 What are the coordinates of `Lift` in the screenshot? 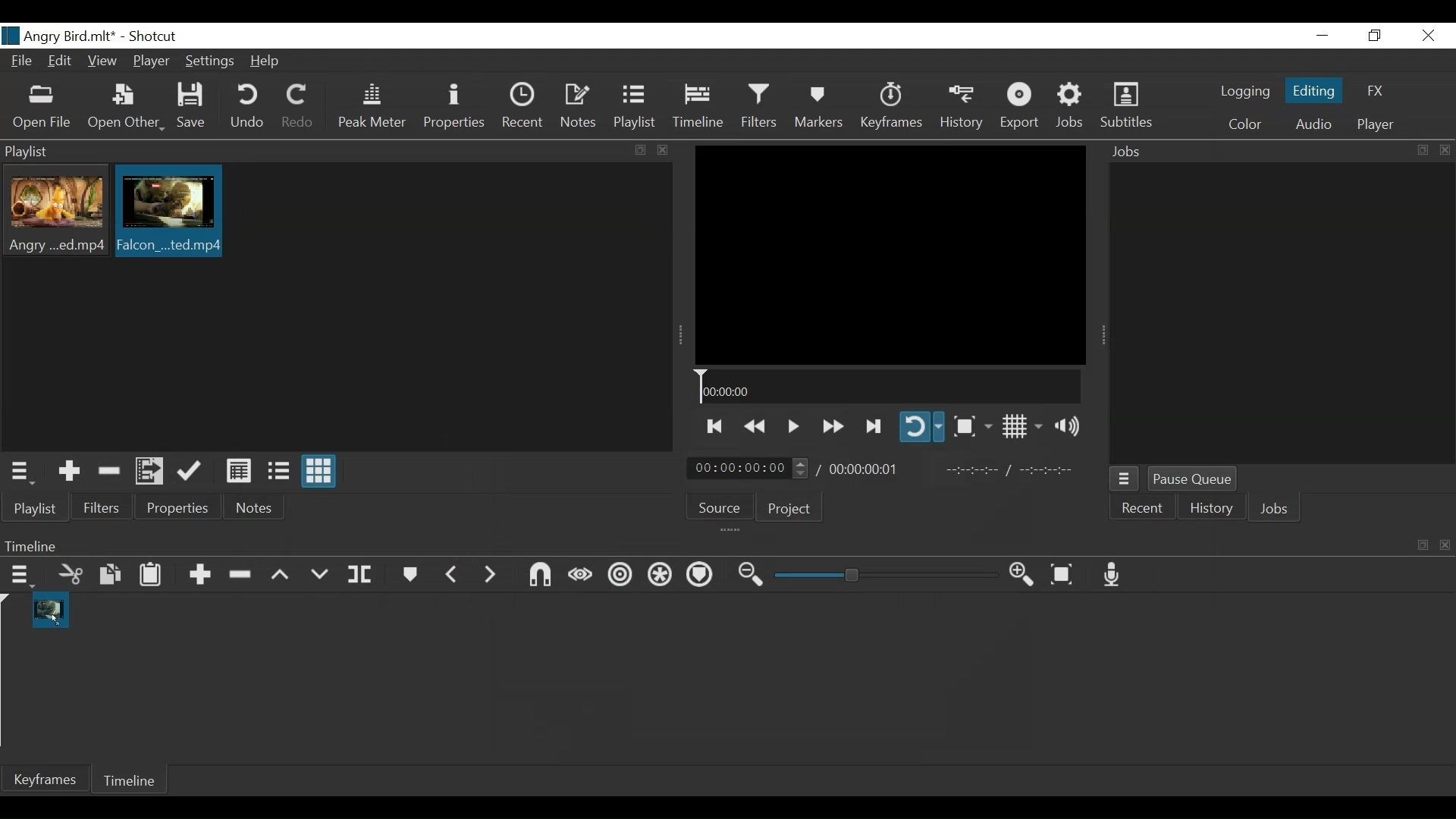 It's located at (283, 576).